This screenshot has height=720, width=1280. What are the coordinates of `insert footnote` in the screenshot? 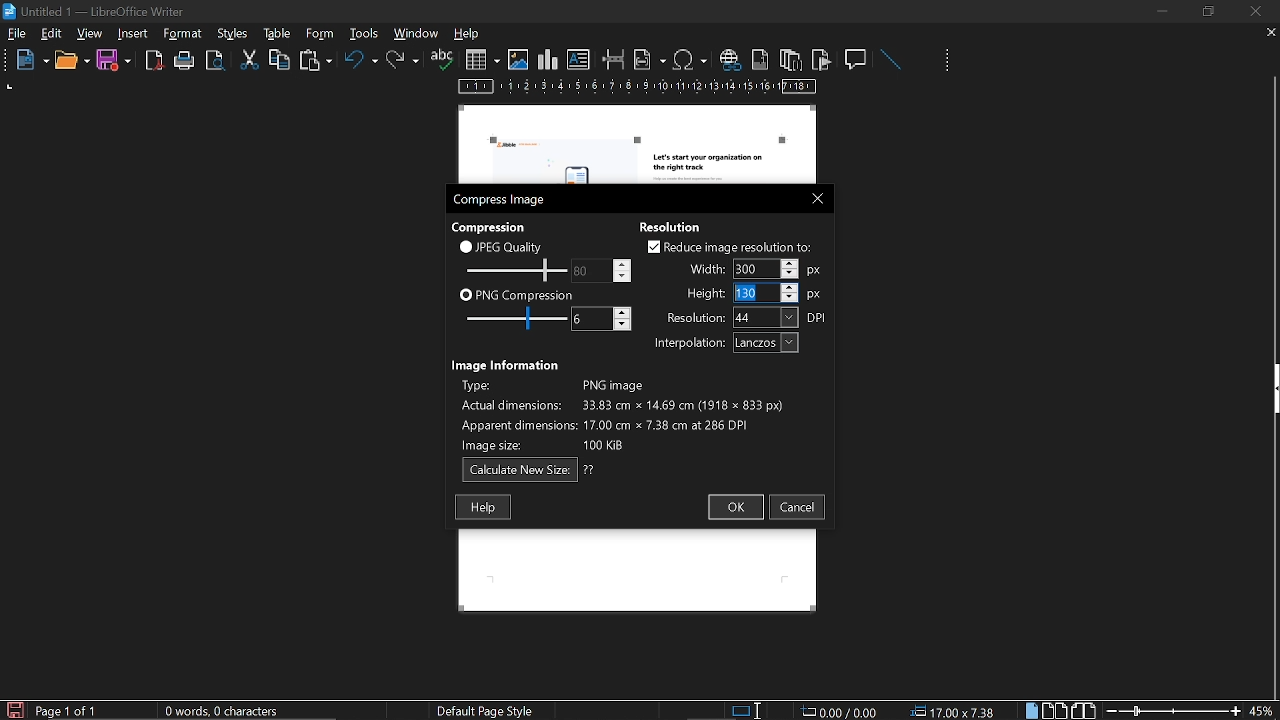 It's located at (758, 59).